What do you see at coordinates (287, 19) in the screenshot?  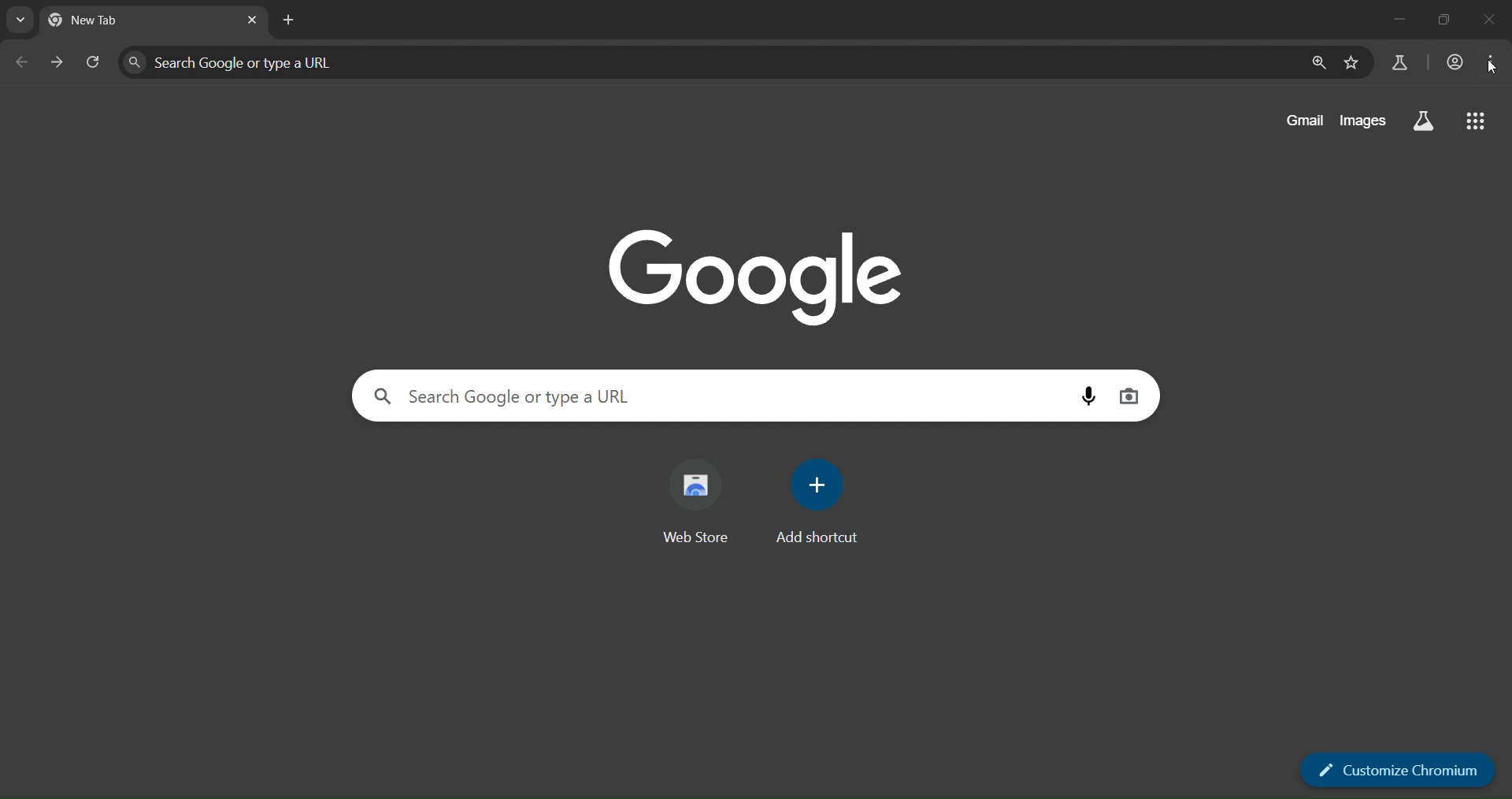 I see `open new tab` at bounding box center [287, 19].